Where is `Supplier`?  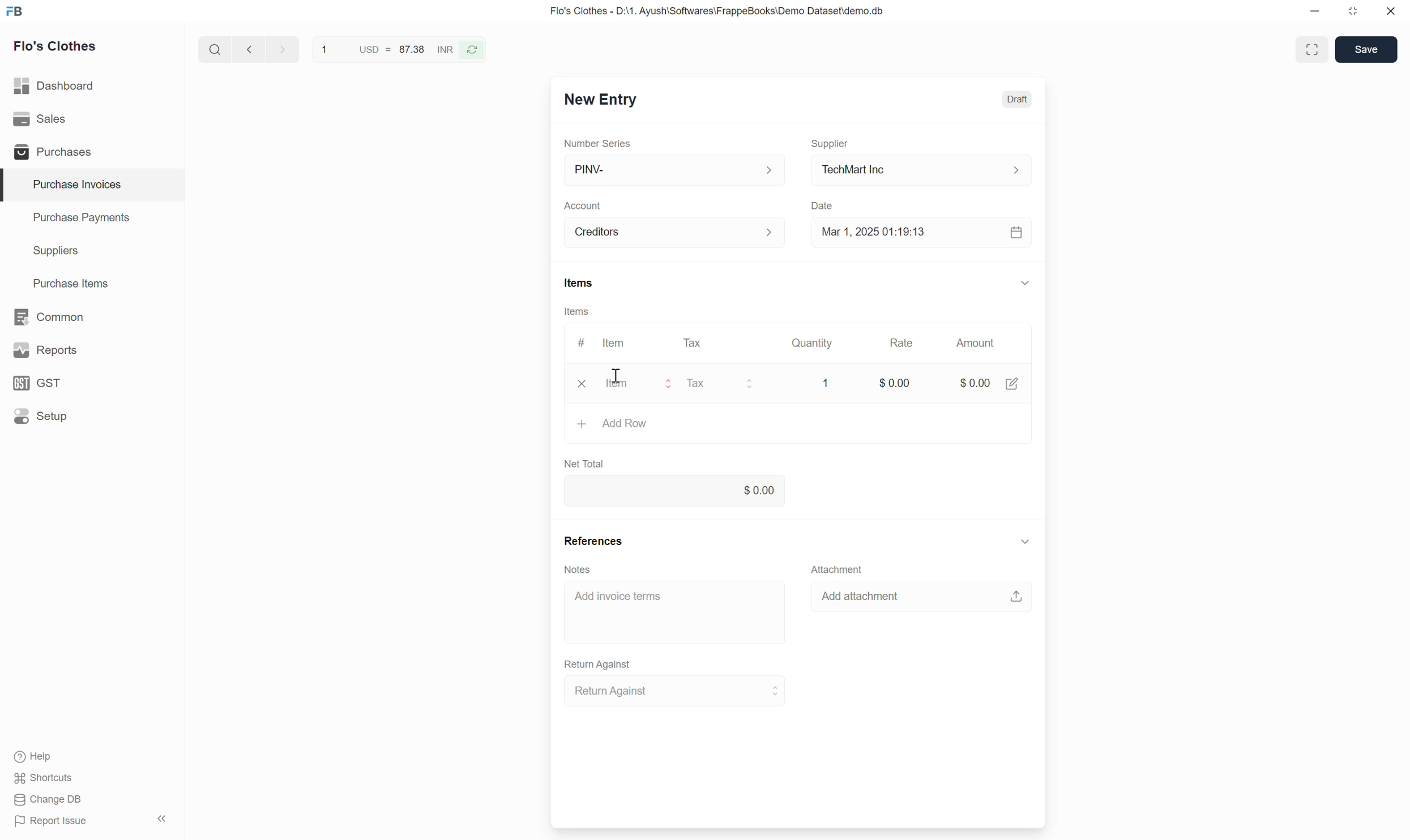
Supplier is located at coordinates (831, 139).